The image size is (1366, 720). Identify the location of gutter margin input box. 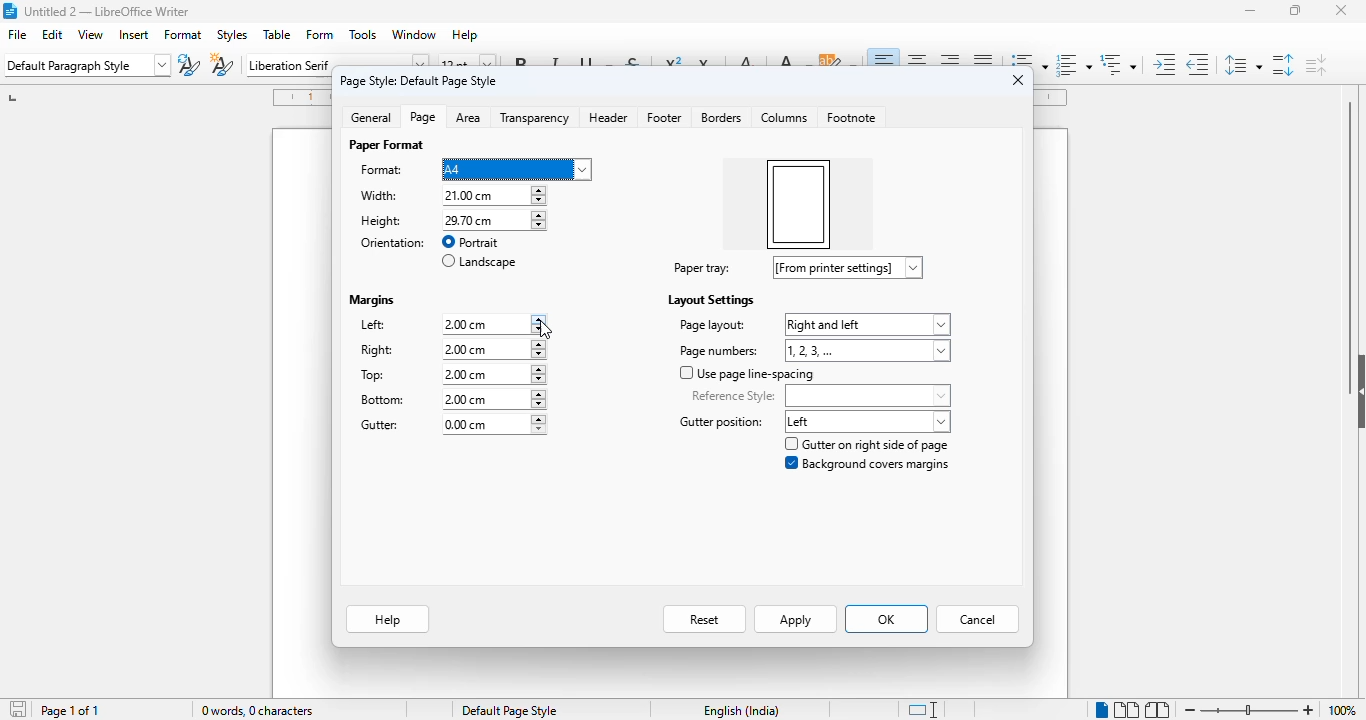
(483, 424).